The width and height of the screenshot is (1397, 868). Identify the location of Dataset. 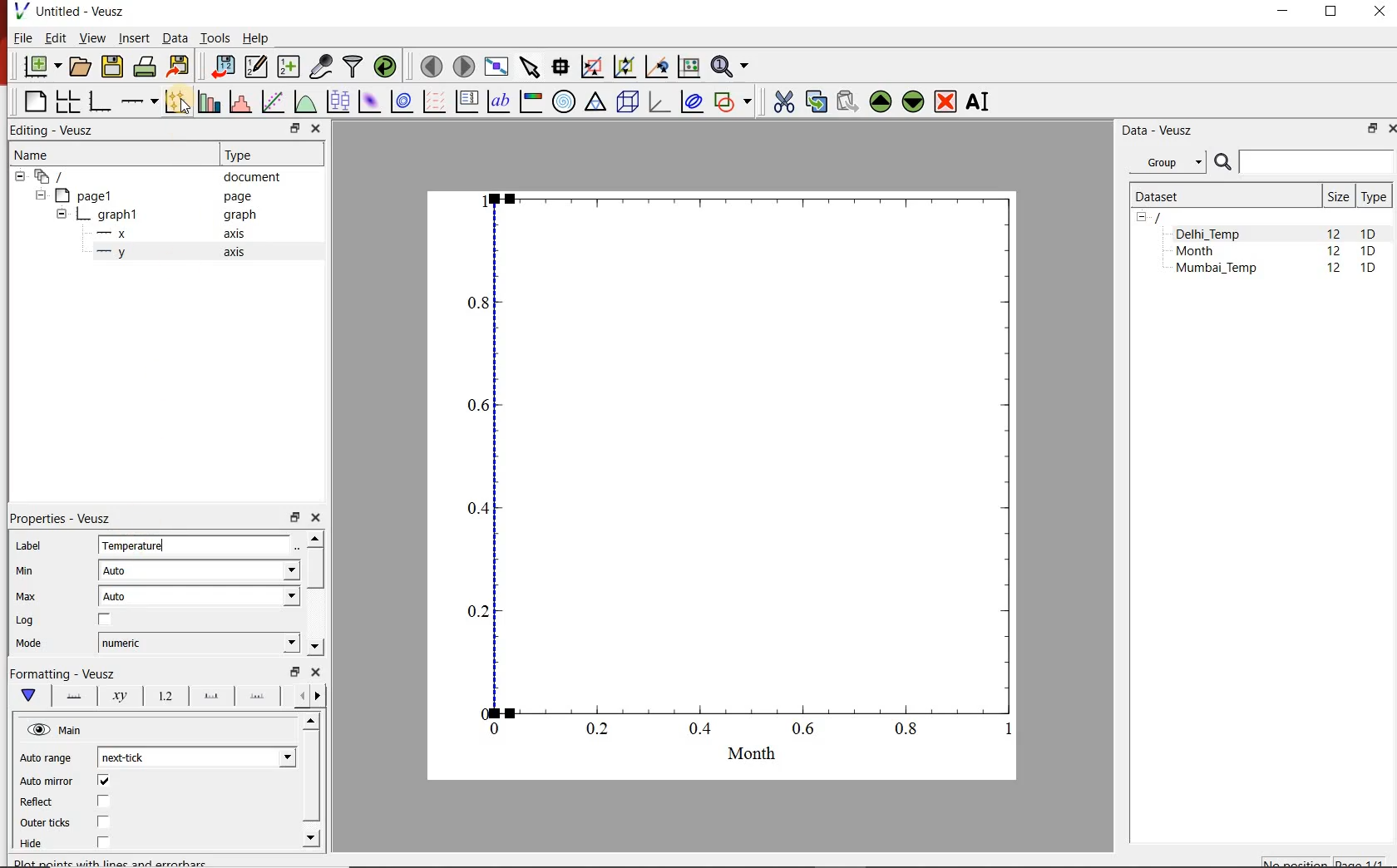
(1221, 196).